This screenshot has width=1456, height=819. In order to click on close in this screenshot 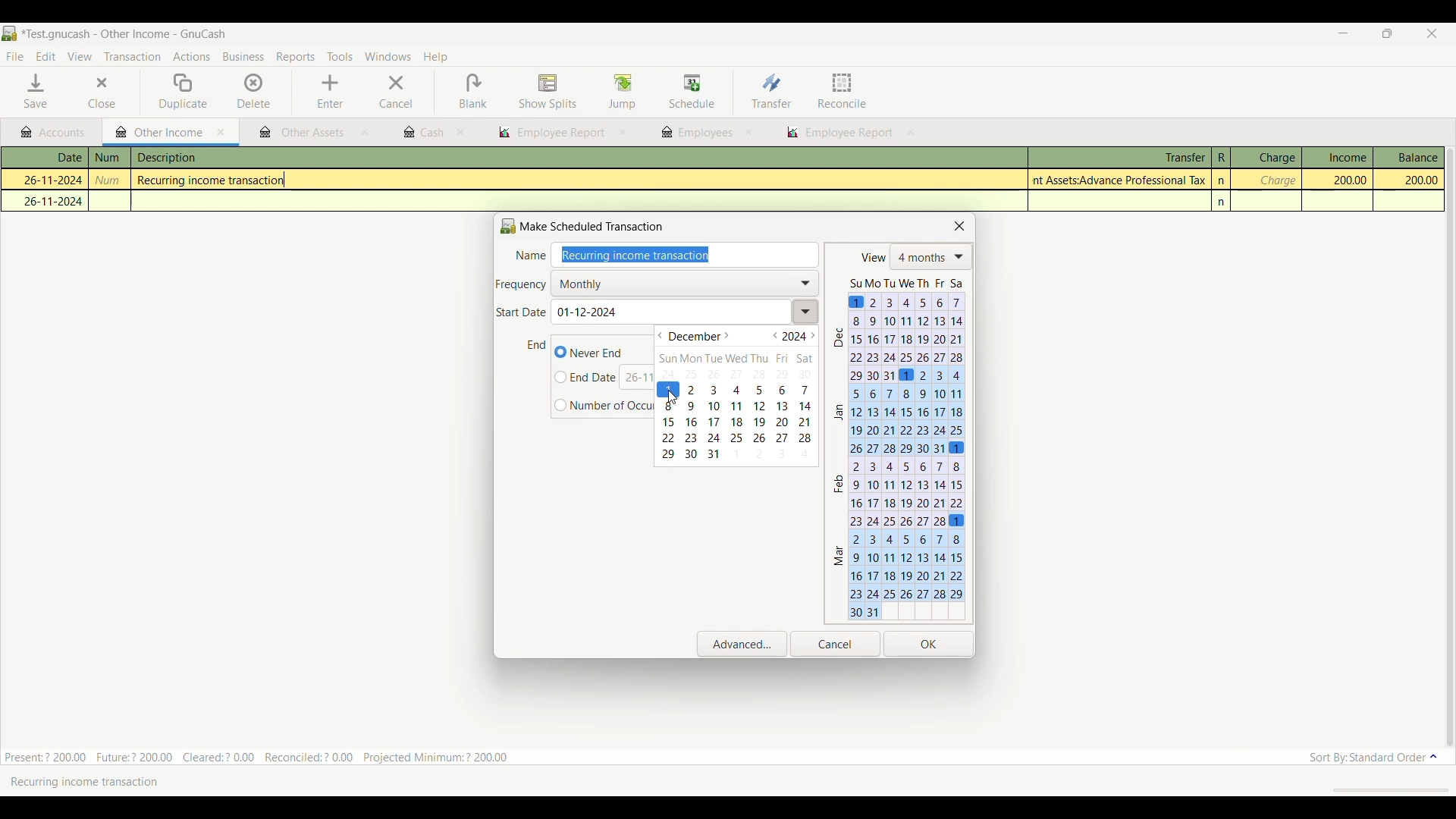, I will do `click(462, 133)`.